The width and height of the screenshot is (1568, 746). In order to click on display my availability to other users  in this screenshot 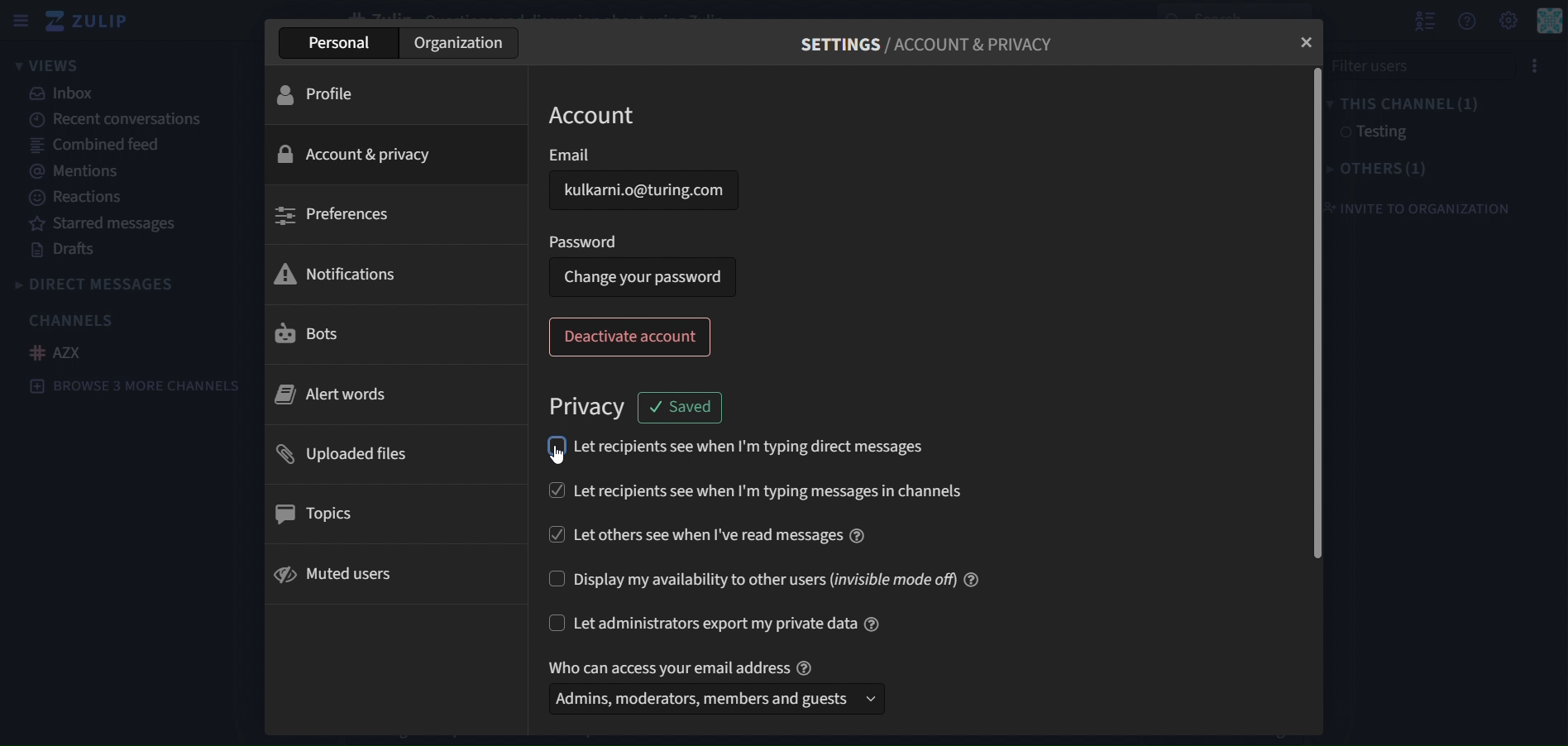, I will do `click(762, 576)`.